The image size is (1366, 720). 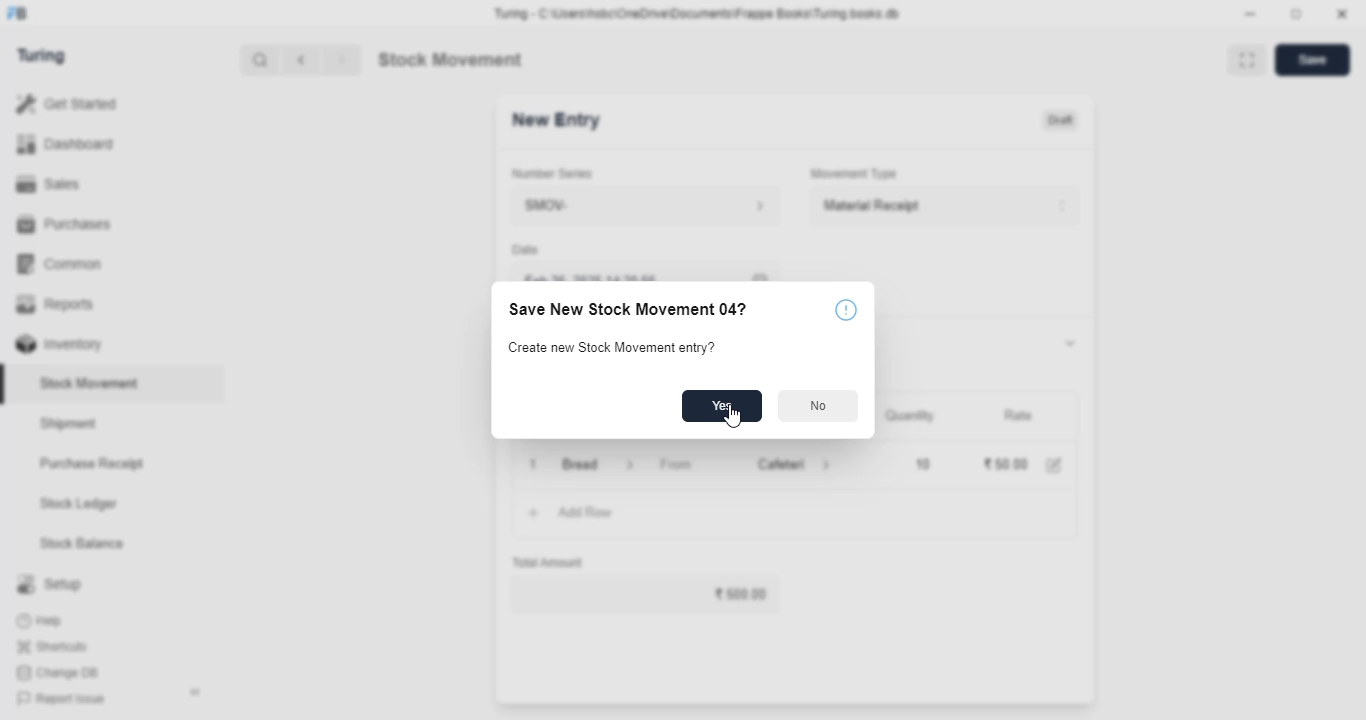 What do you see at coordinates (533, 466) in the screenshot?
I see `remove` at bounding box center [533, 466].